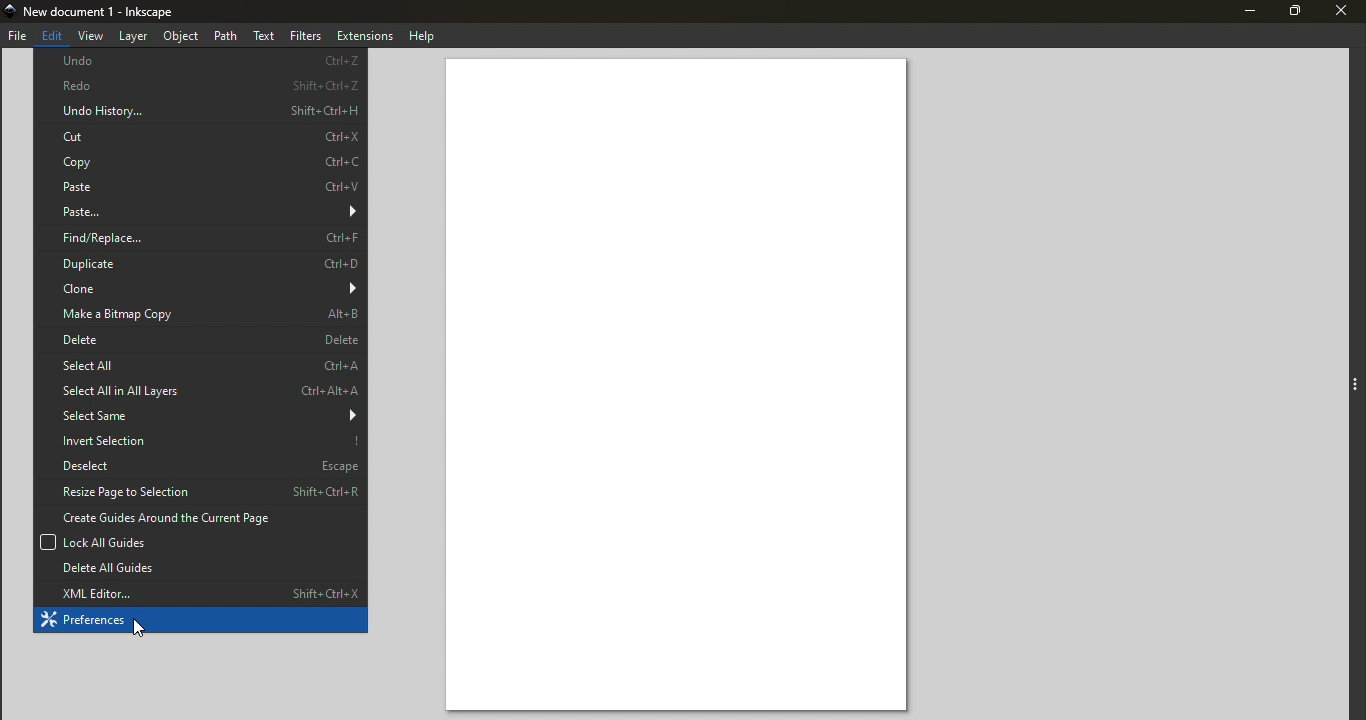 Image resolution: width=1366 pixels, height=720 pixels. What do you see at coordinates (202, 441) in the screenshot?
I see `Invert selection` at bounding box center [202, 441].